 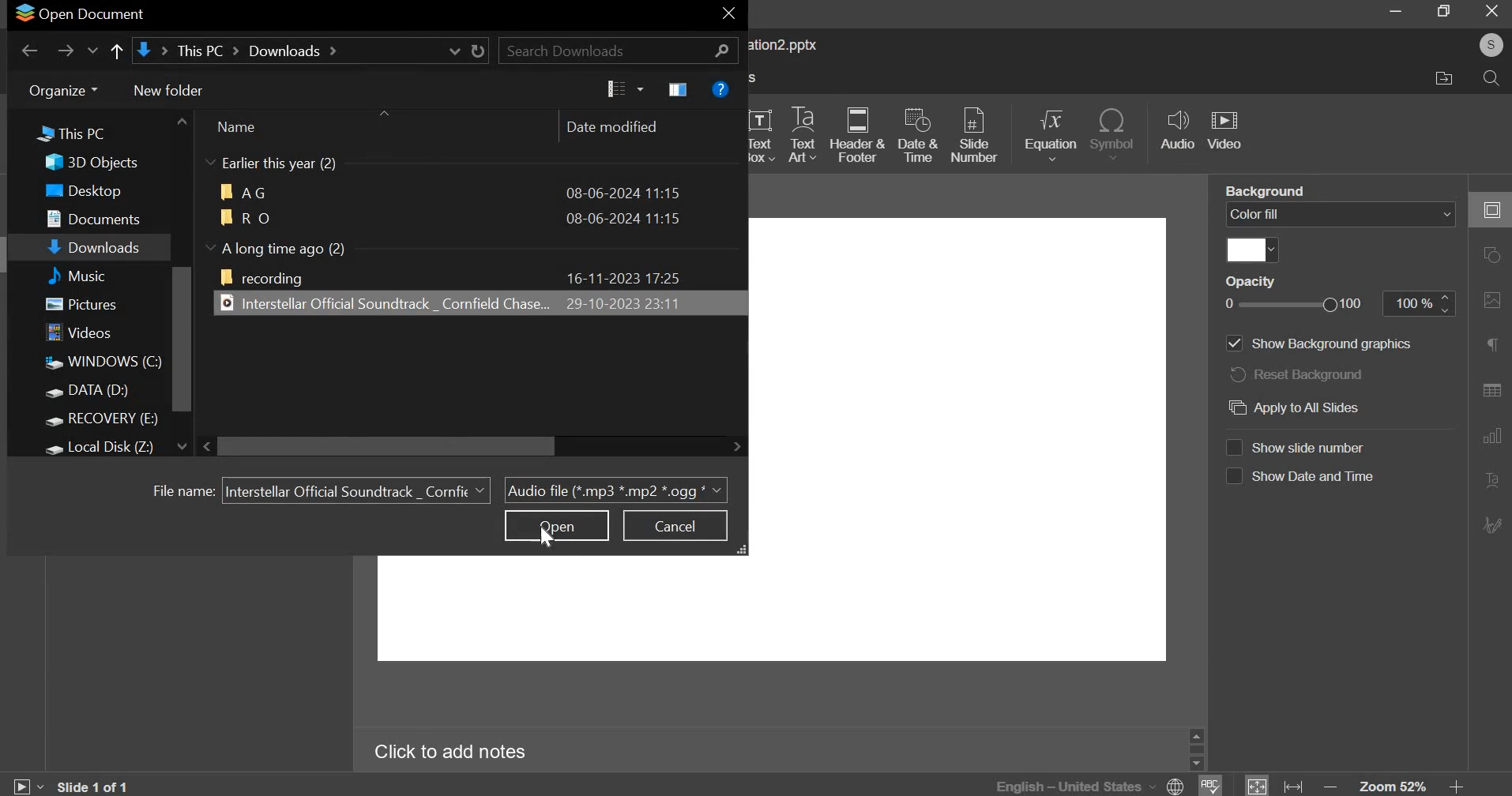 I want to click on creation date, so click(x=620, y=302).